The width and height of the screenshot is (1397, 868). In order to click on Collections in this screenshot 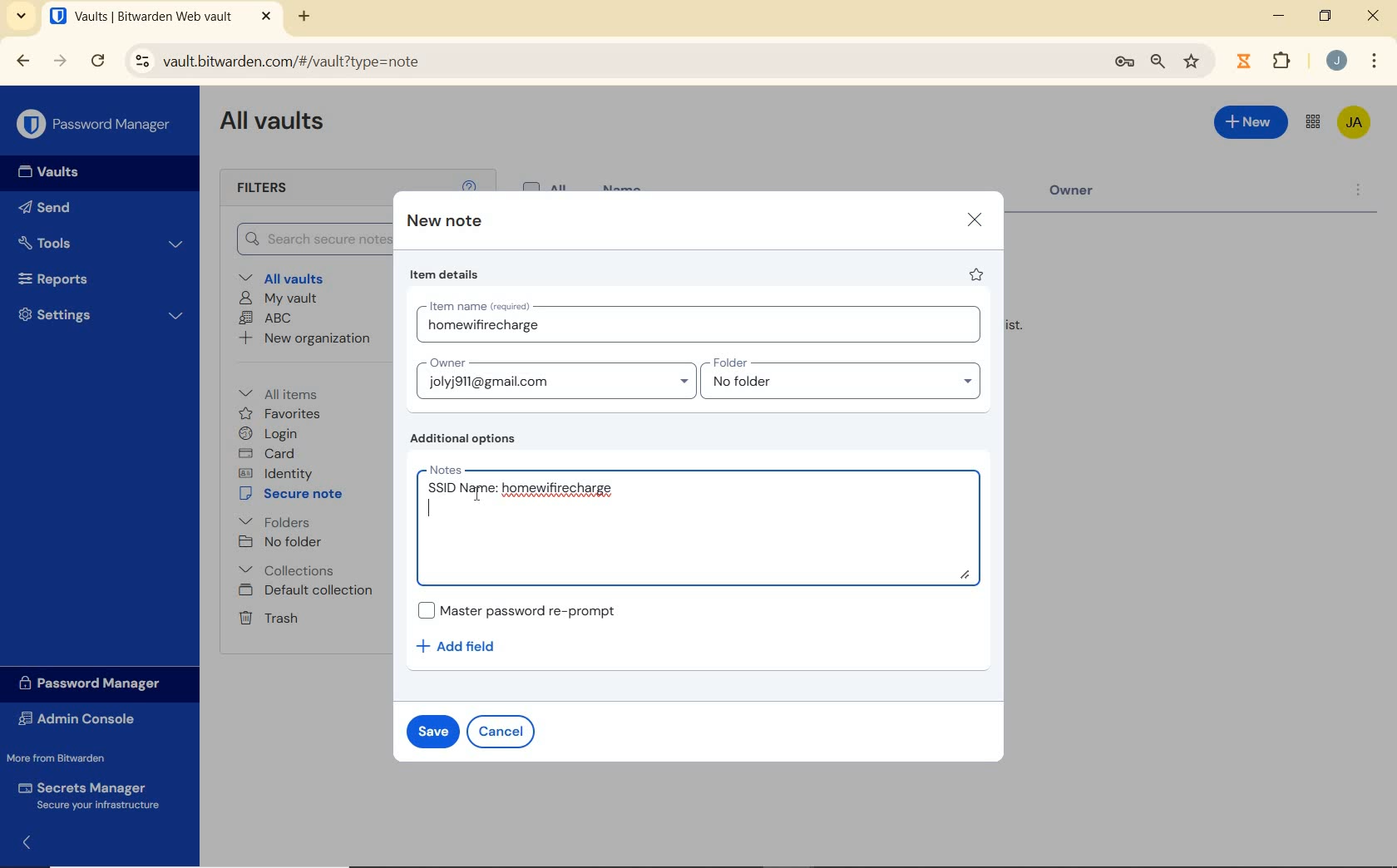, I will do `click(290, 570)`.